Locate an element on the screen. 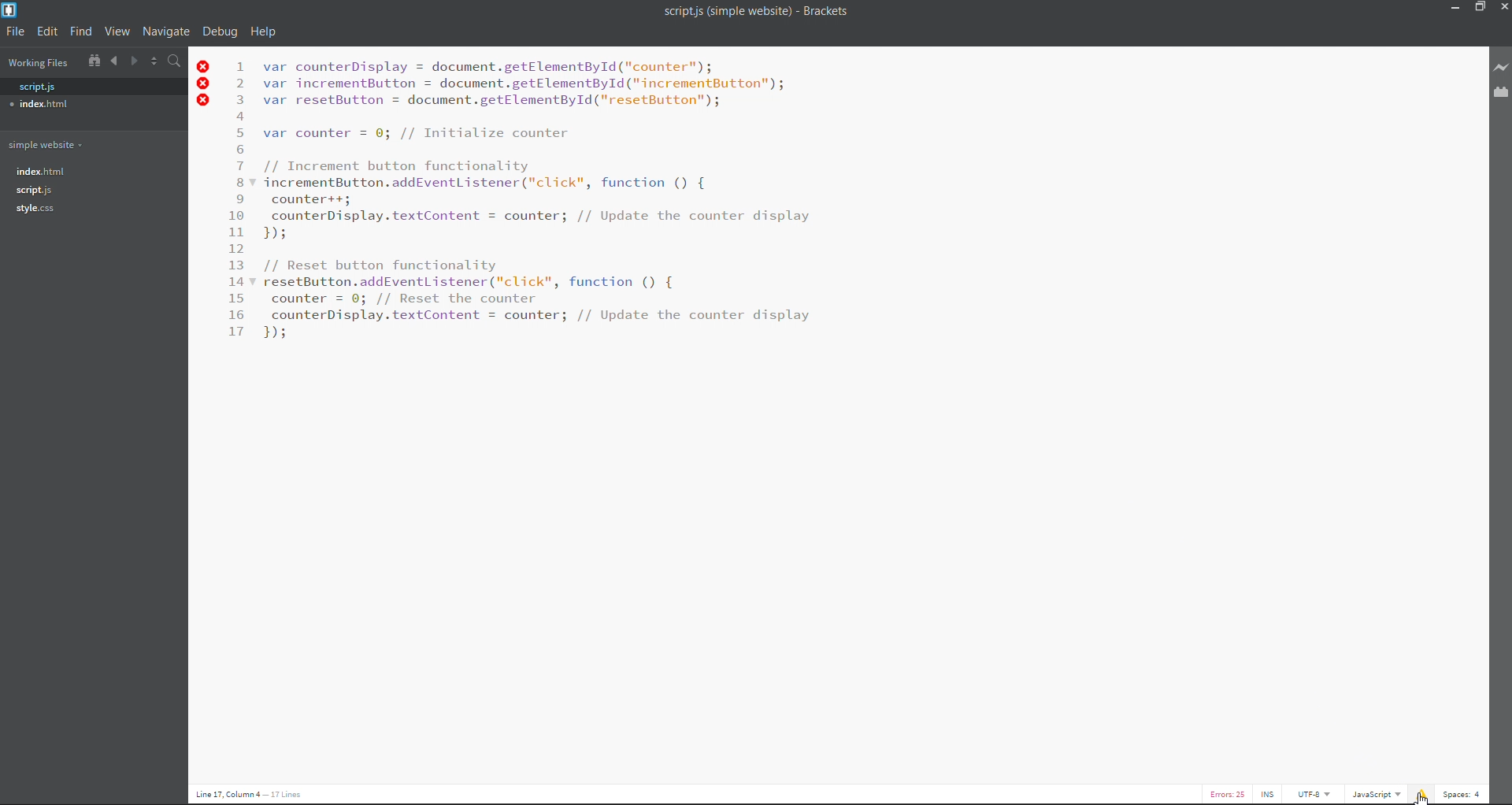 This screenshot has width=1512, height=805. help is located at coordinates (267, 30).